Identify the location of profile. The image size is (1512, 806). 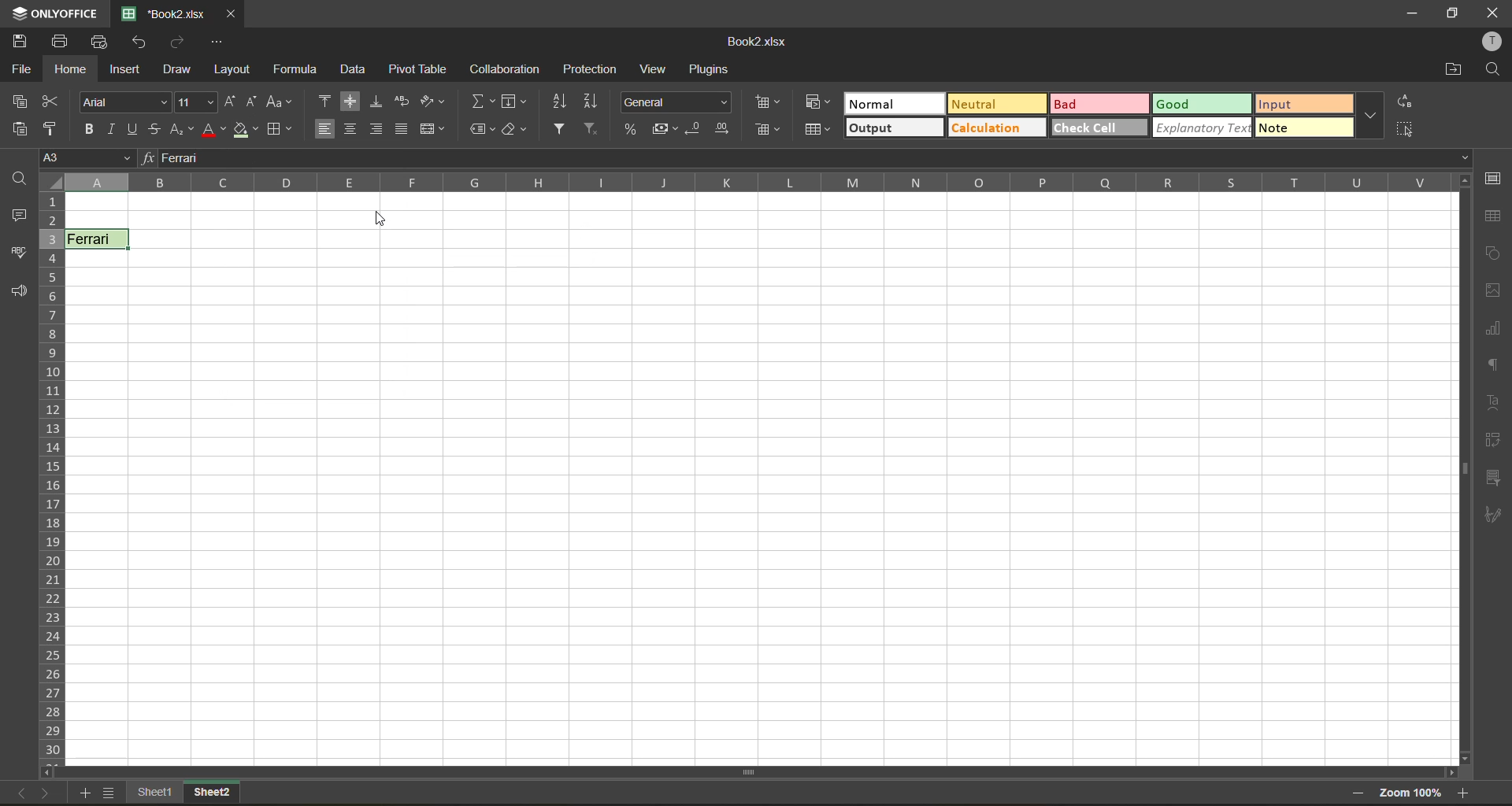
(1495, 41).